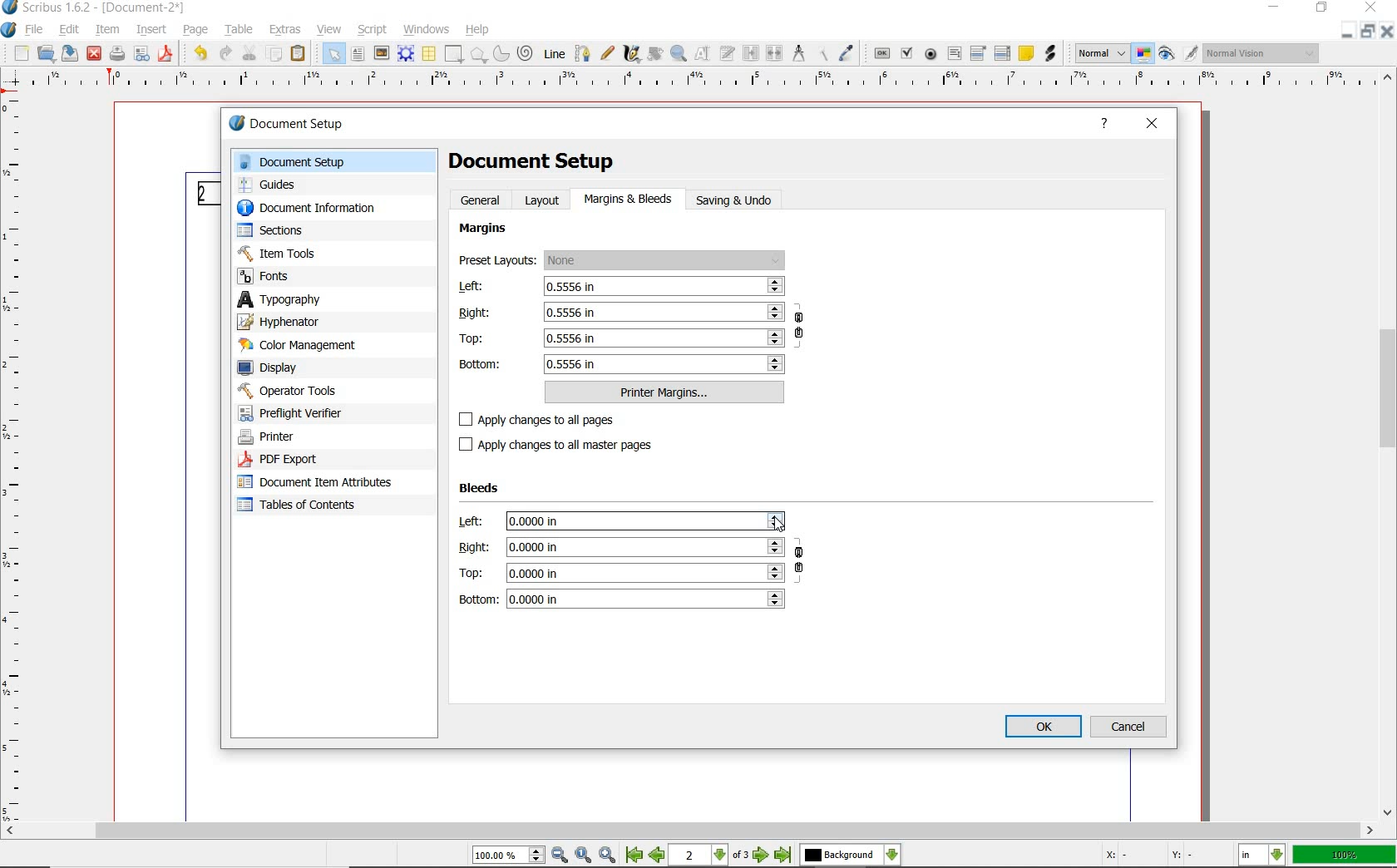 This screenshot has height=868, width=1397. I want to click on polygon, so click(478, 55).